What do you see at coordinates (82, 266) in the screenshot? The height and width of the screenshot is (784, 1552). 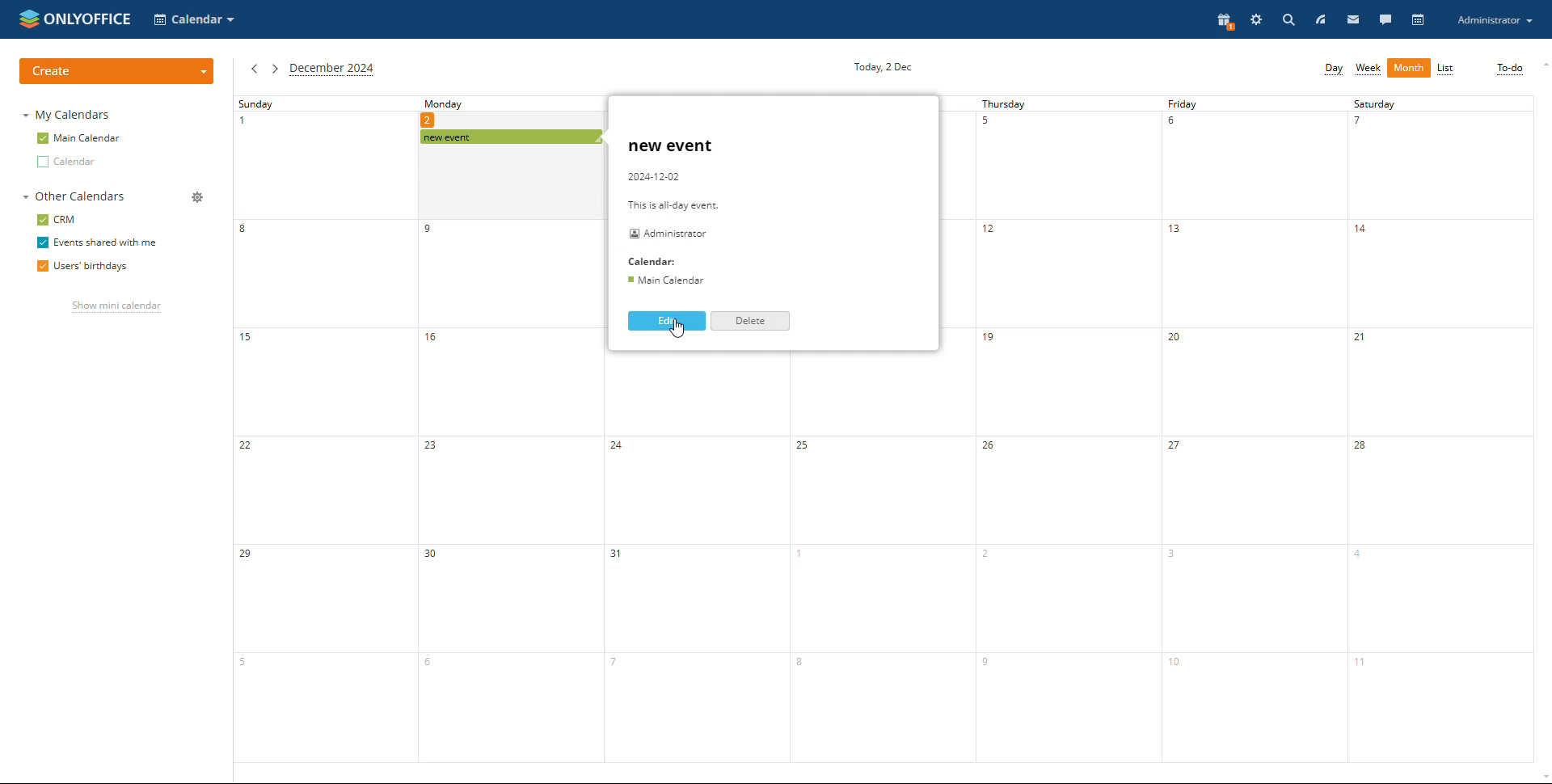 I see `users' birthdays` at bounding box center [82, 266].